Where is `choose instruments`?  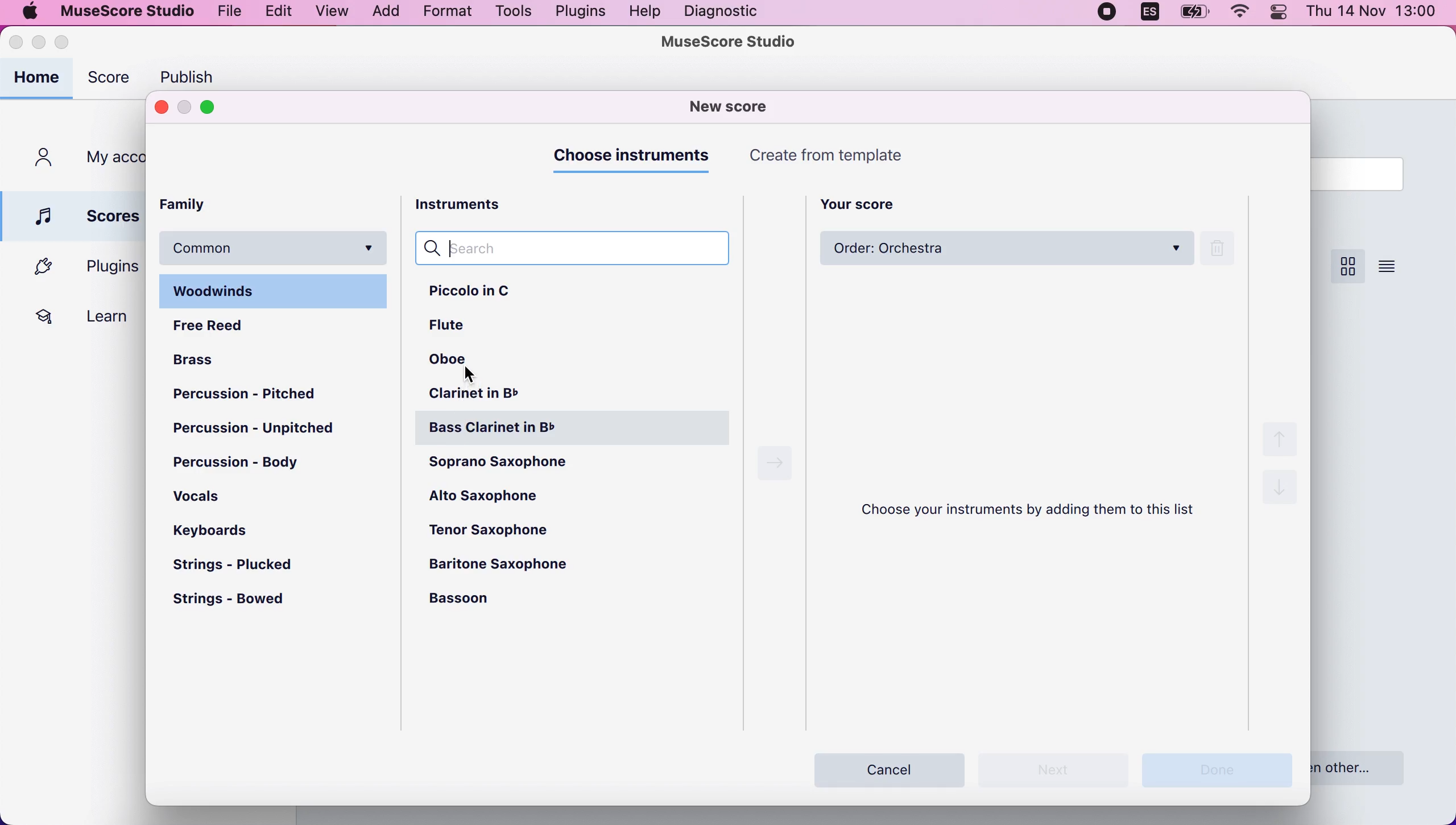
choose instruments is located at coordinates (635, 160).